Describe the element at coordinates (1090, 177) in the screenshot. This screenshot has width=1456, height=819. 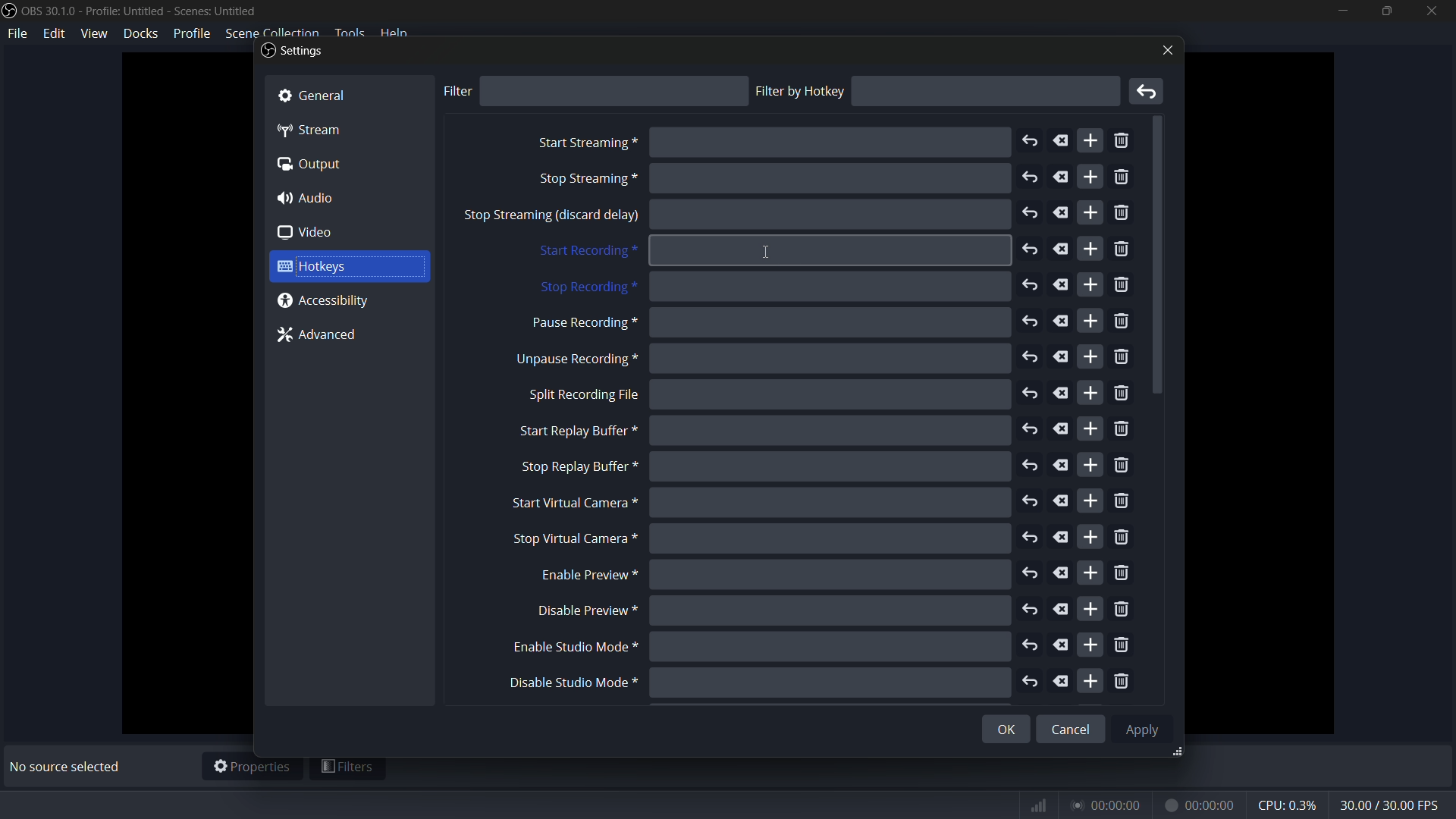
I see `add more` at that location.